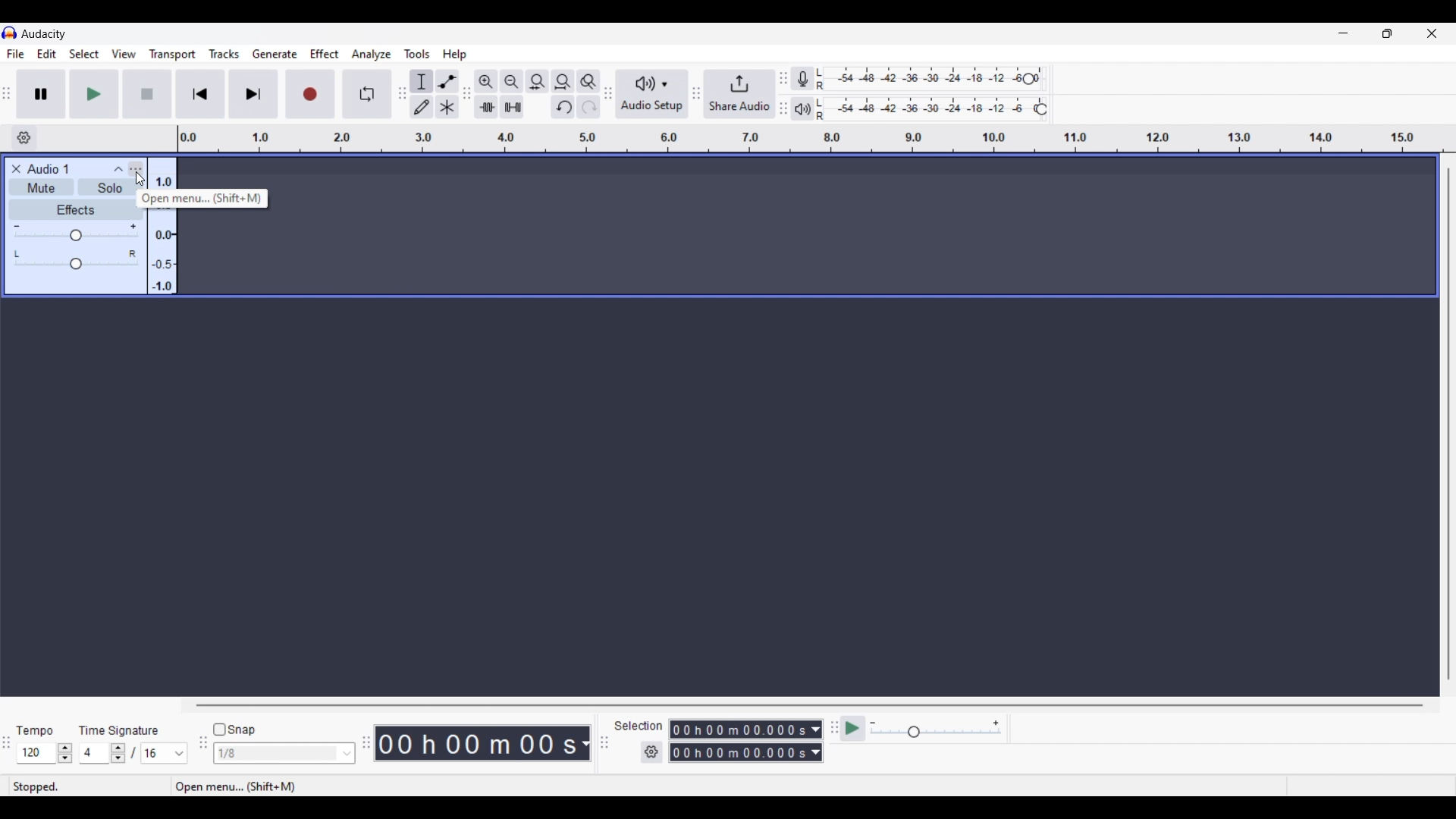 This screenshot has height=819, width=1456. Describe the element at coordinates (75, 265) in the screenshot. I see `Pan` at that location.